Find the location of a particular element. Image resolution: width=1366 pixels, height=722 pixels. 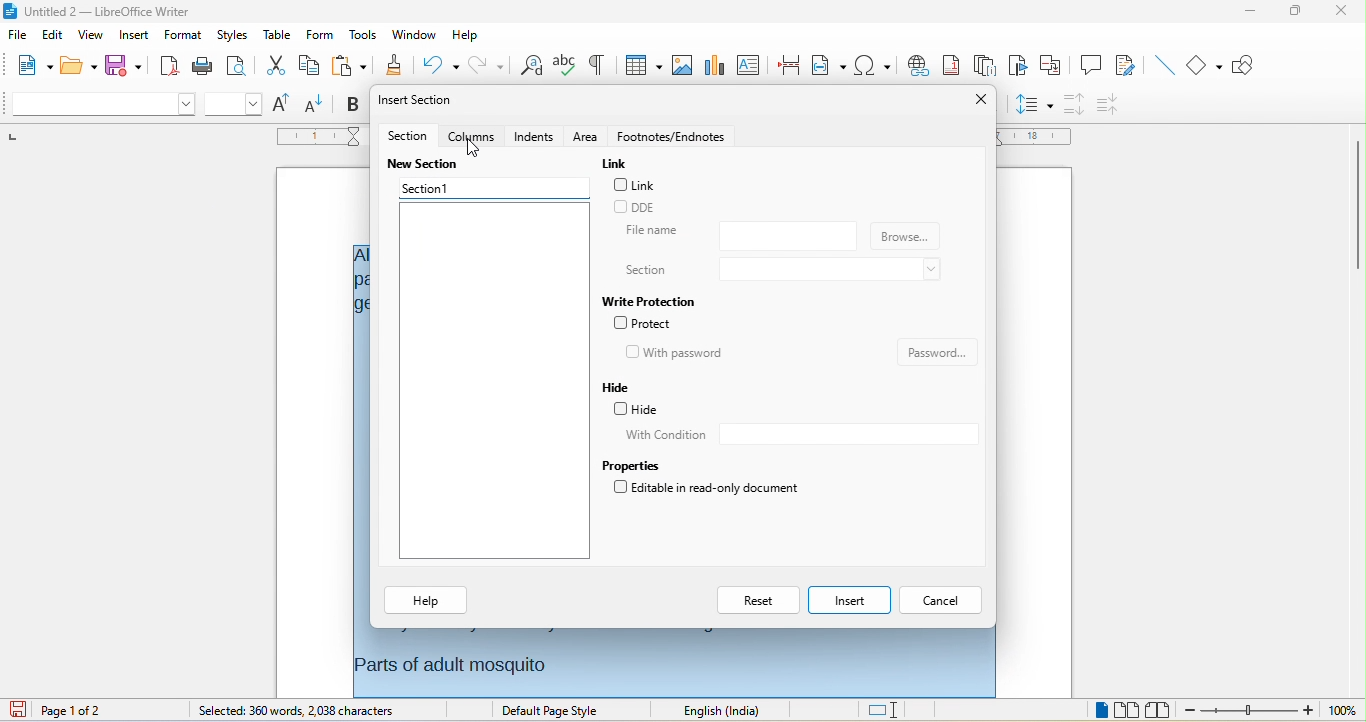

maximize is located at coordinates (1292, 13).